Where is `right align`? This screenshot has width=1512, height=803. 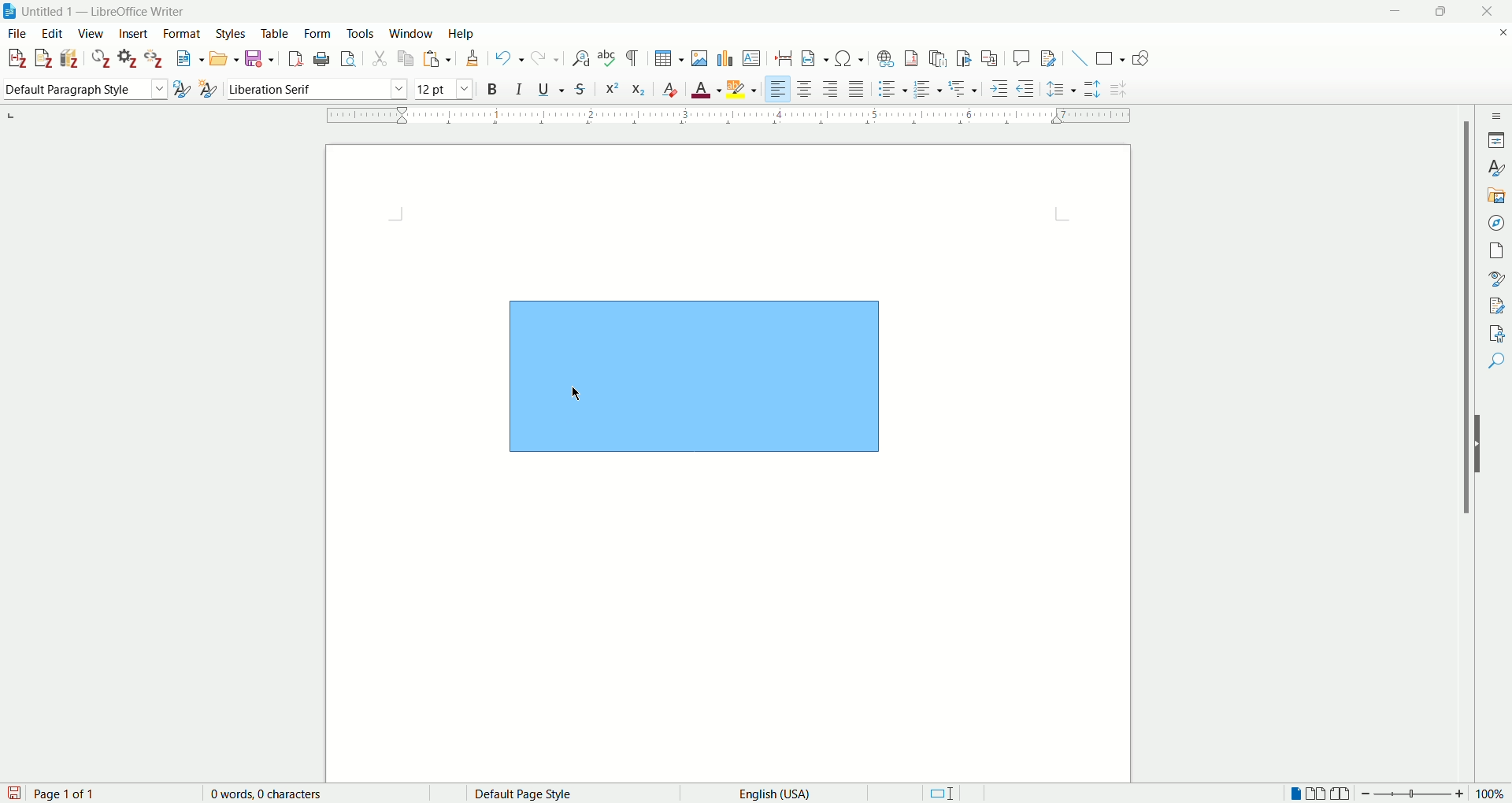
right align is located at coordinates (830, 88).